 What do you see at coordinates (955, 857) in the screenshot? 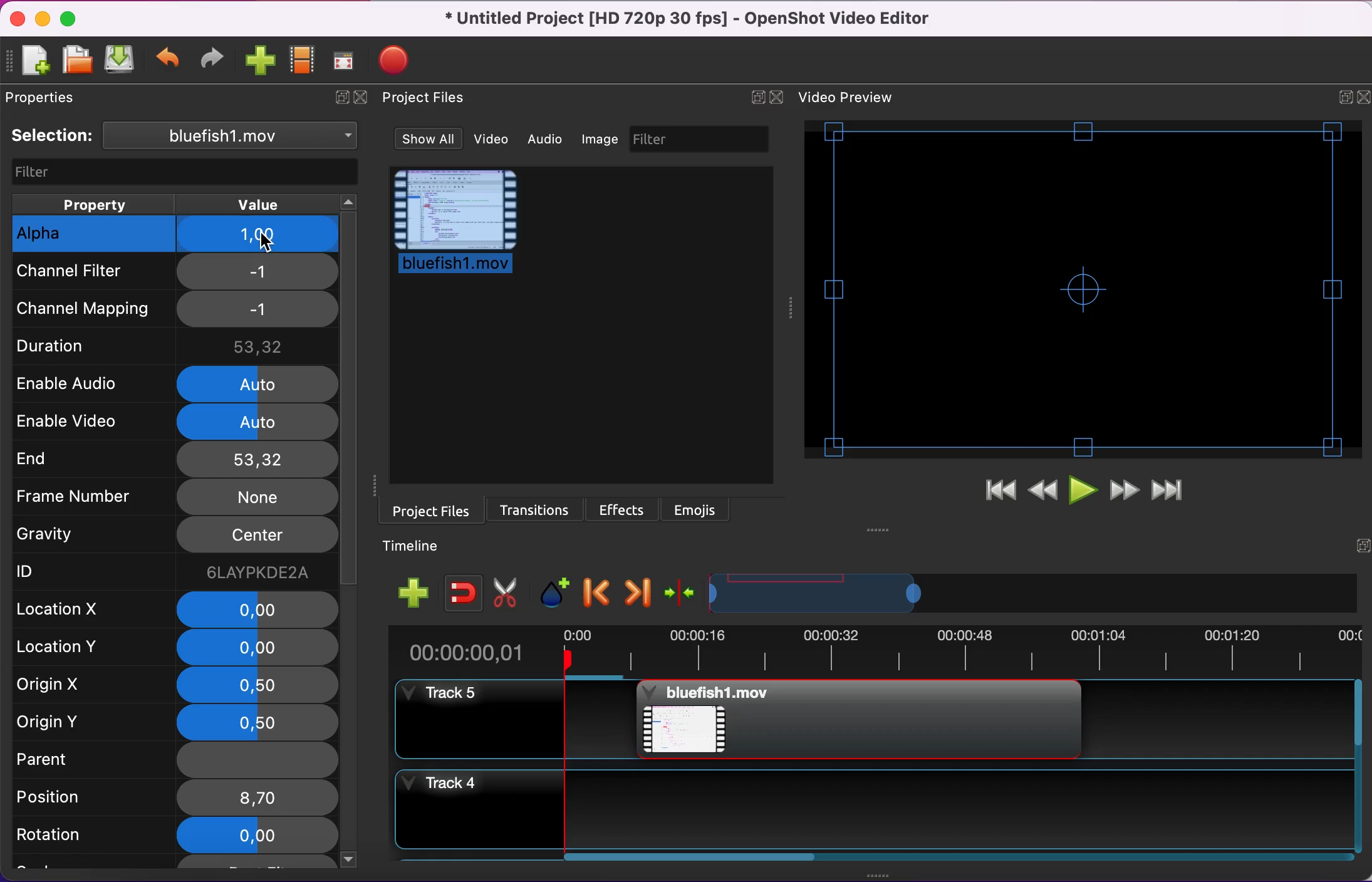
I see `Horizontal slide bar` at bounding box center [955, 857].